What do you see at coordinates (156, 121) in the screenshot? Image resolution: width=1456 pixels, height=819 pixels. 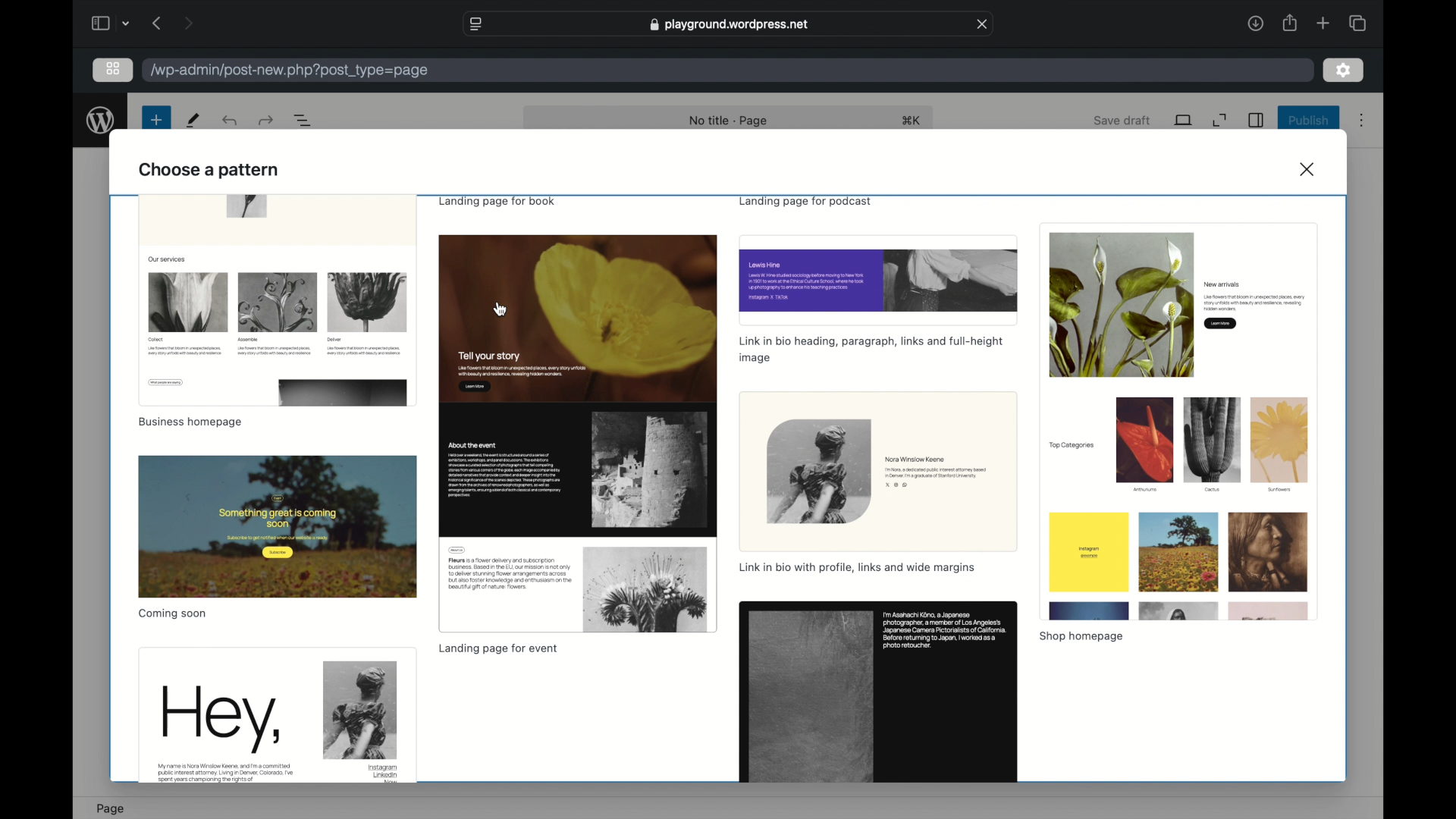 I see `new` at bounding box center [156, 121].